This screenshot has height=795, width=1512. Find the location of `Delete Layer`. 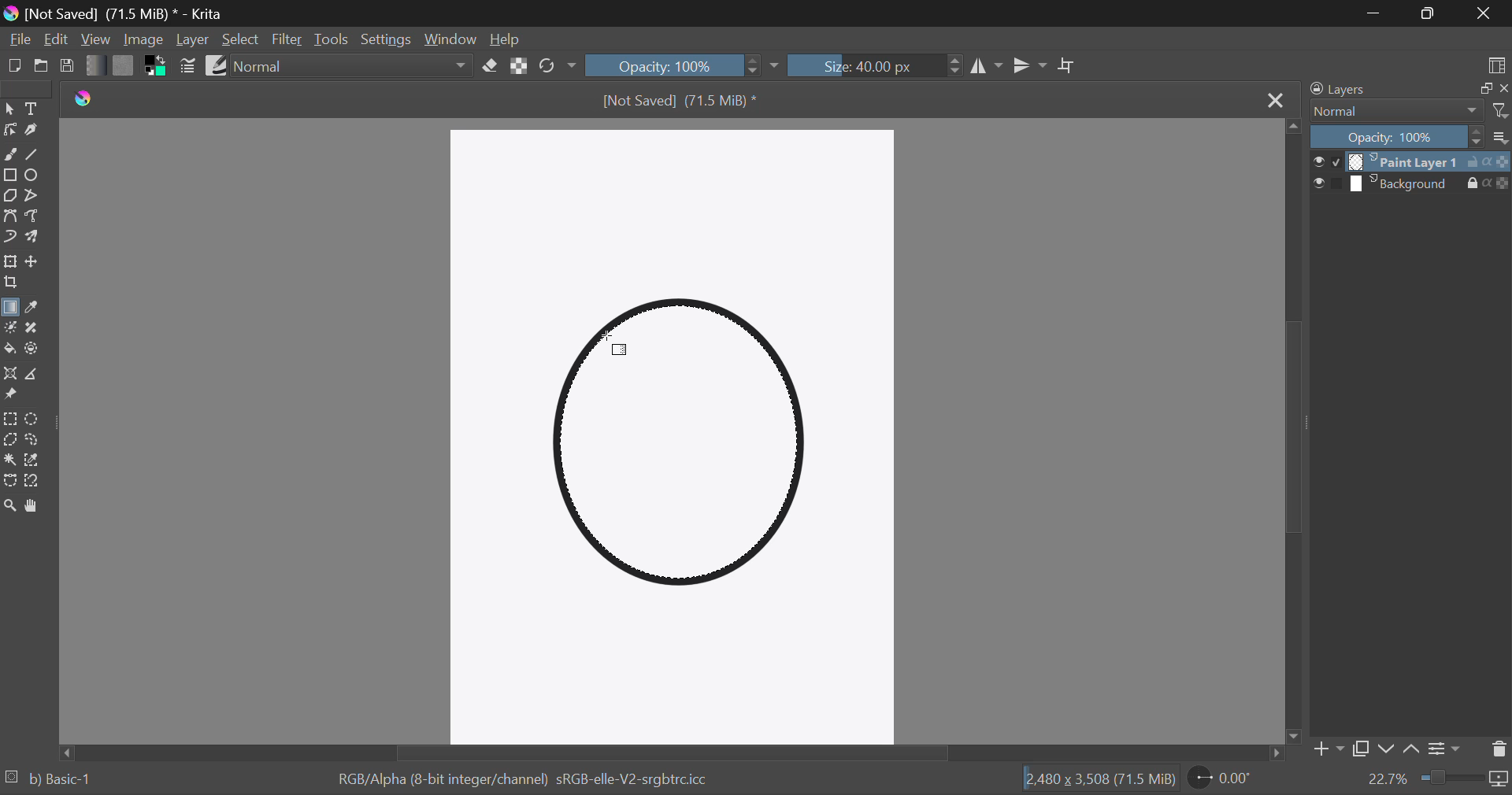

Delete Layer is located at coordinates (1499, 752).